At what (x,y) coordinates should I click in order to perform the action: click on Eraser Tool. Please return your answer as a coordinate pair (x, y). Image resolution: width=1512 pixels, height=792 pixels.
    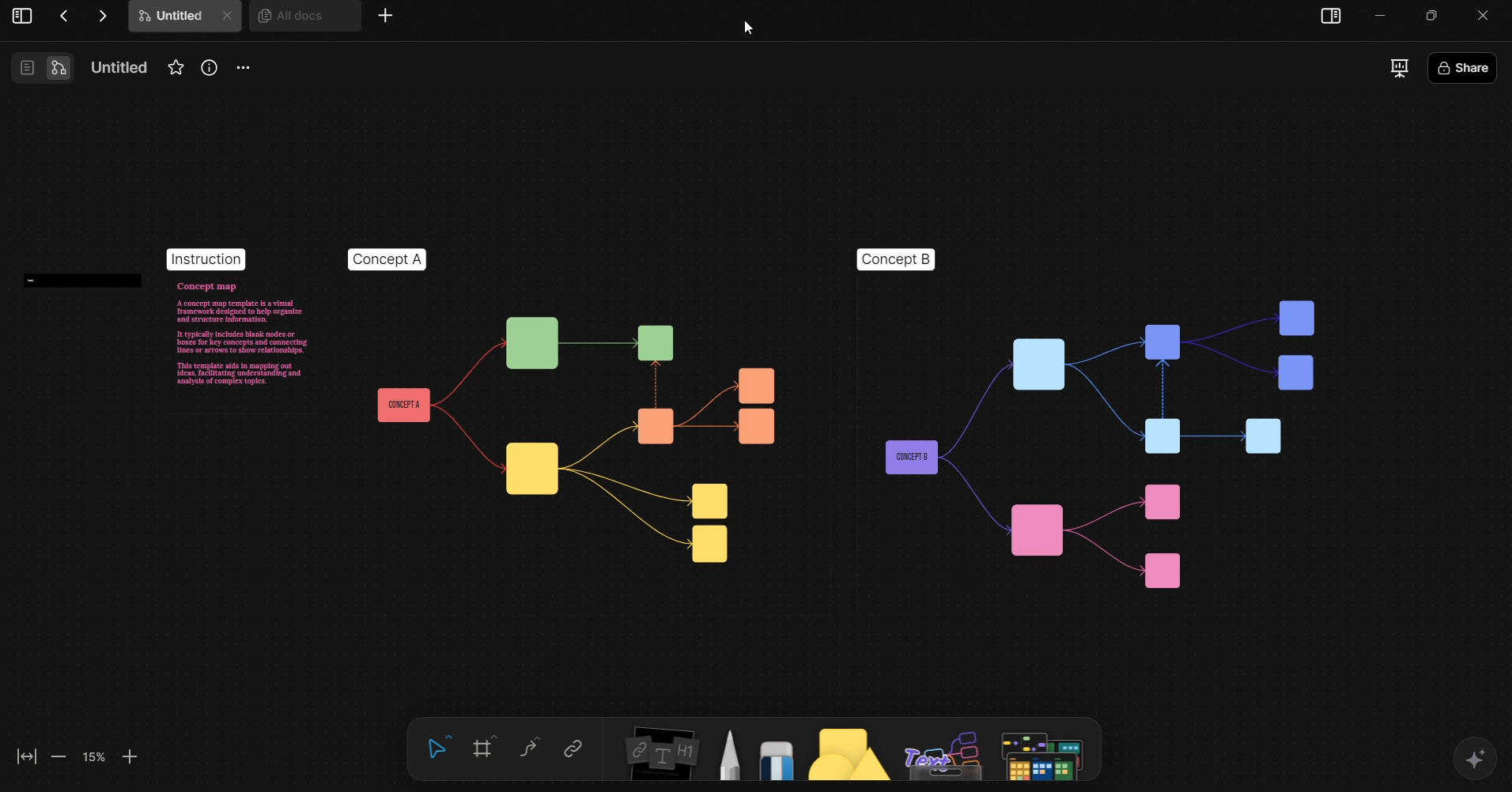
    Looking at the image, I should click on (776, 754).